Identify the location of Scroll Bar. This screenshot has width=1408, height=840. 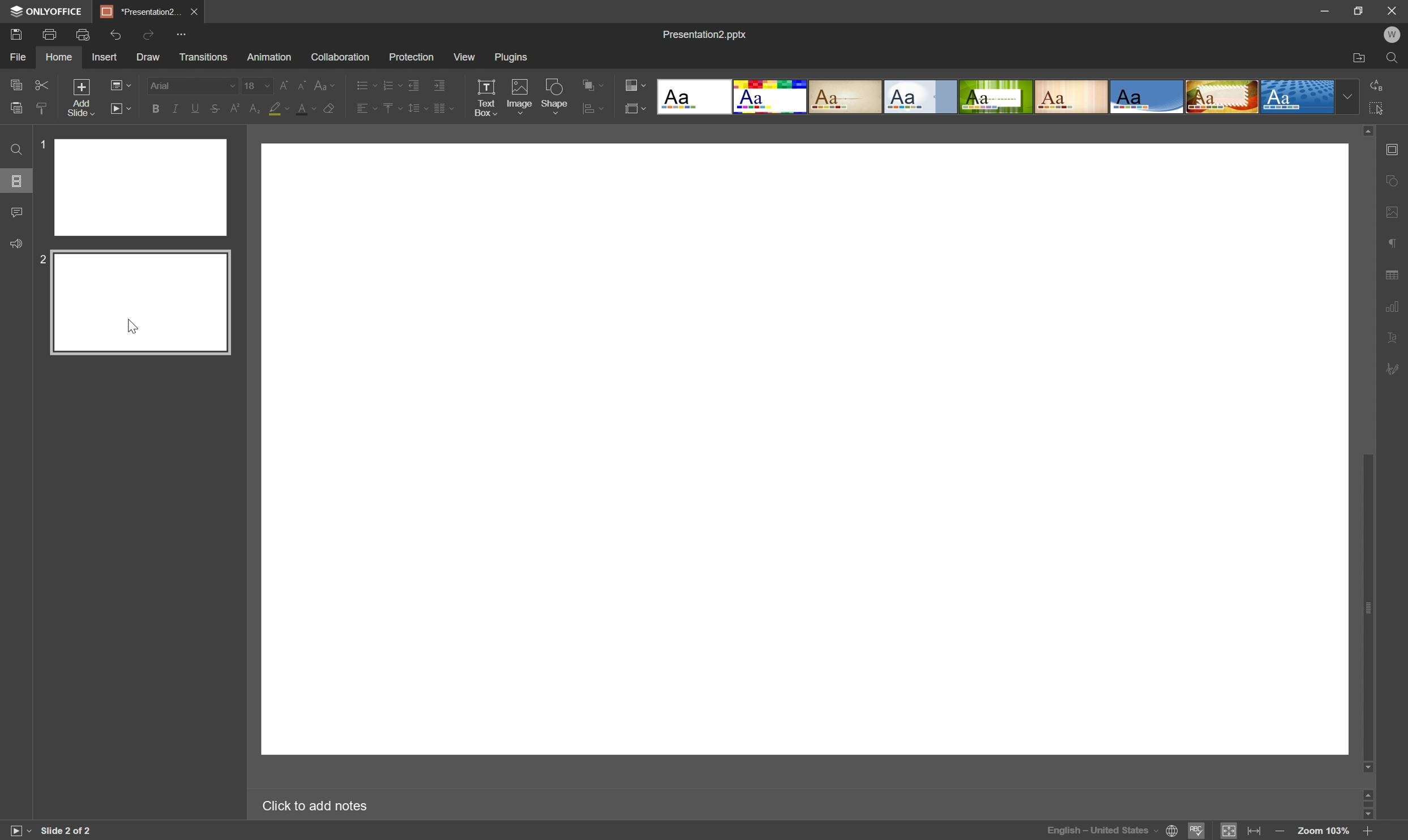
(1370, 800).